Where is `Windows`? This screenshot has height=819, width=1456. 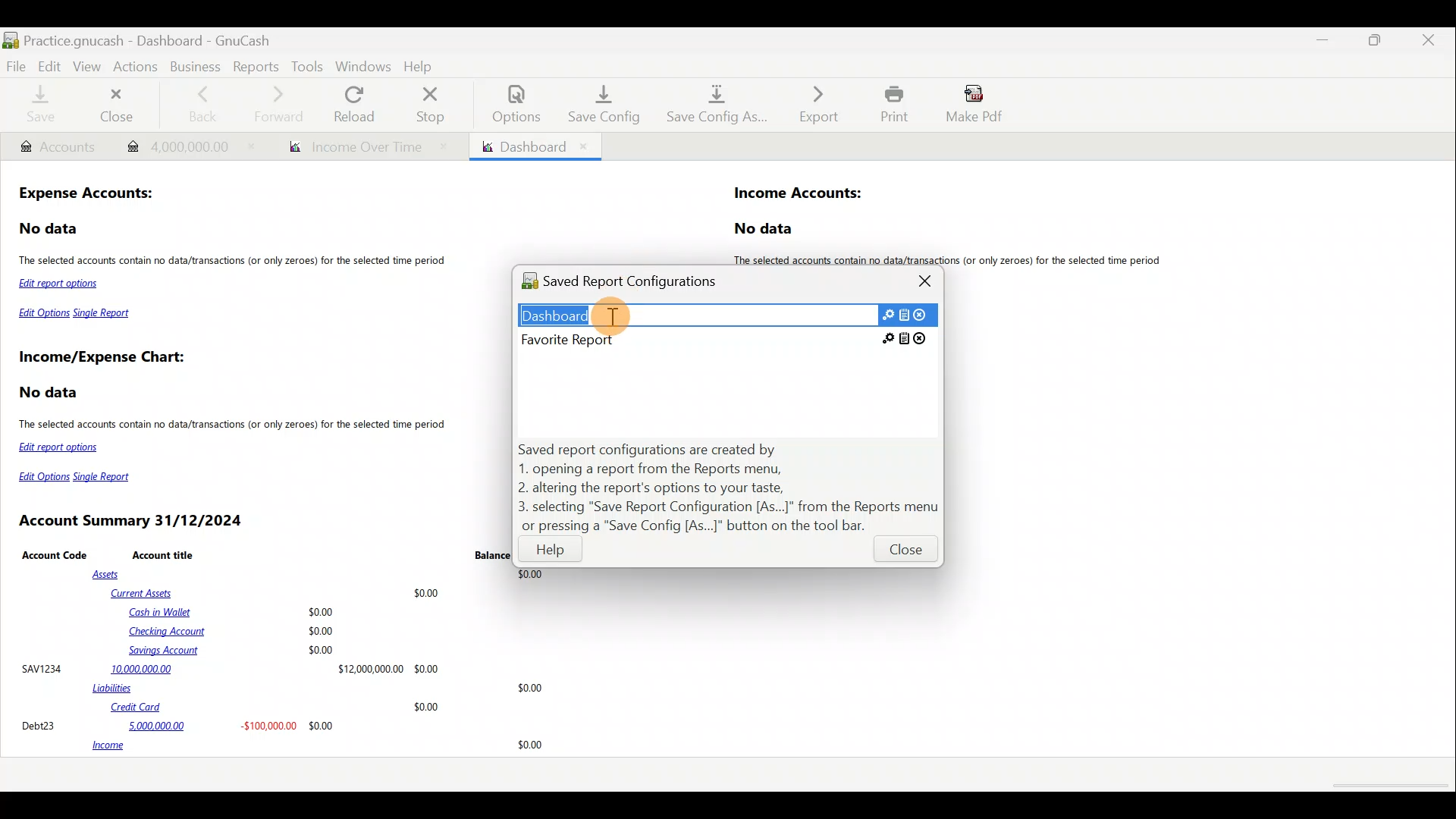 Windows is located at coordinates (363, 66).